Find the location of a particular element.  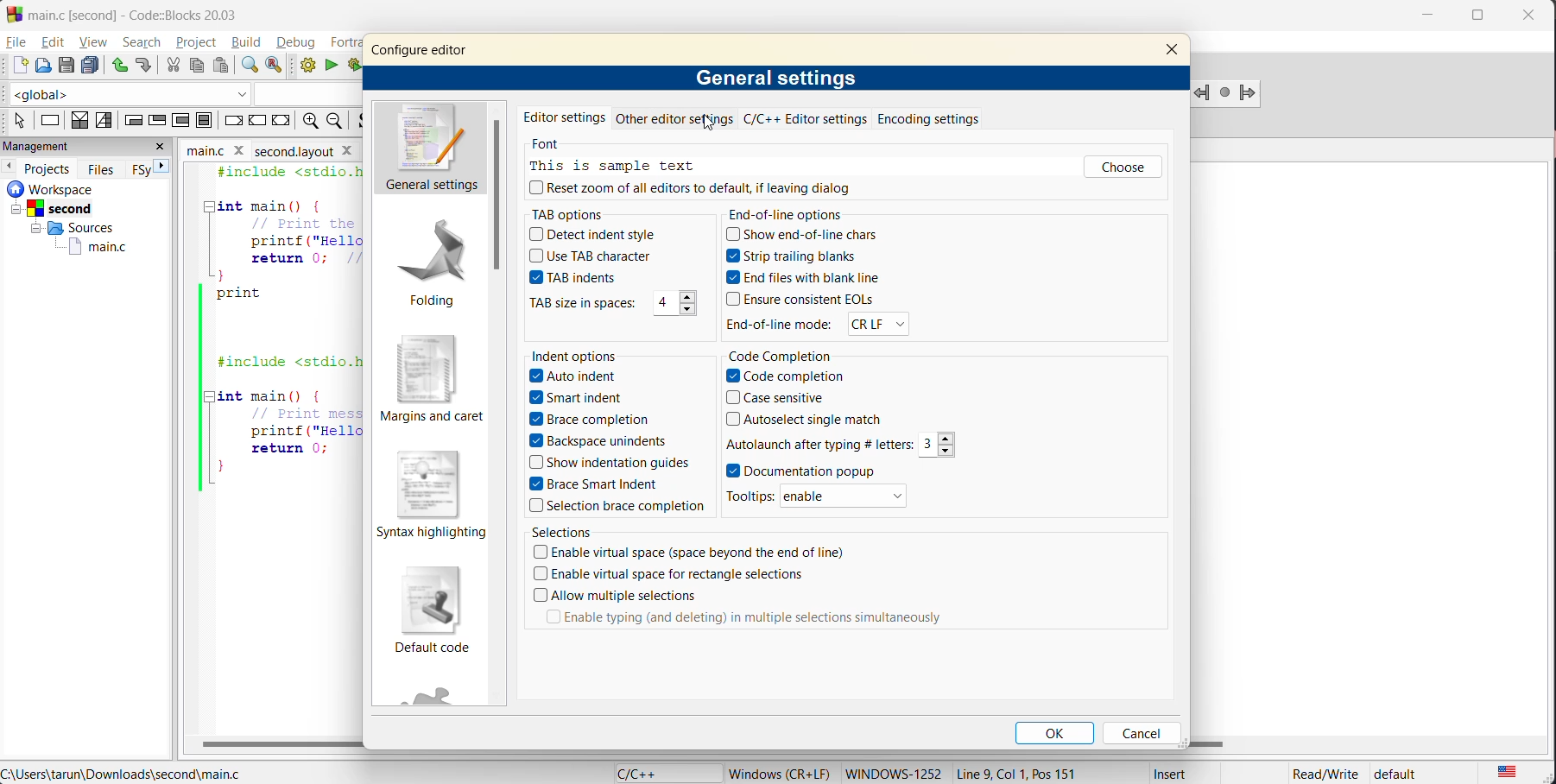

Brace completion is located at coordinates (594, 420).